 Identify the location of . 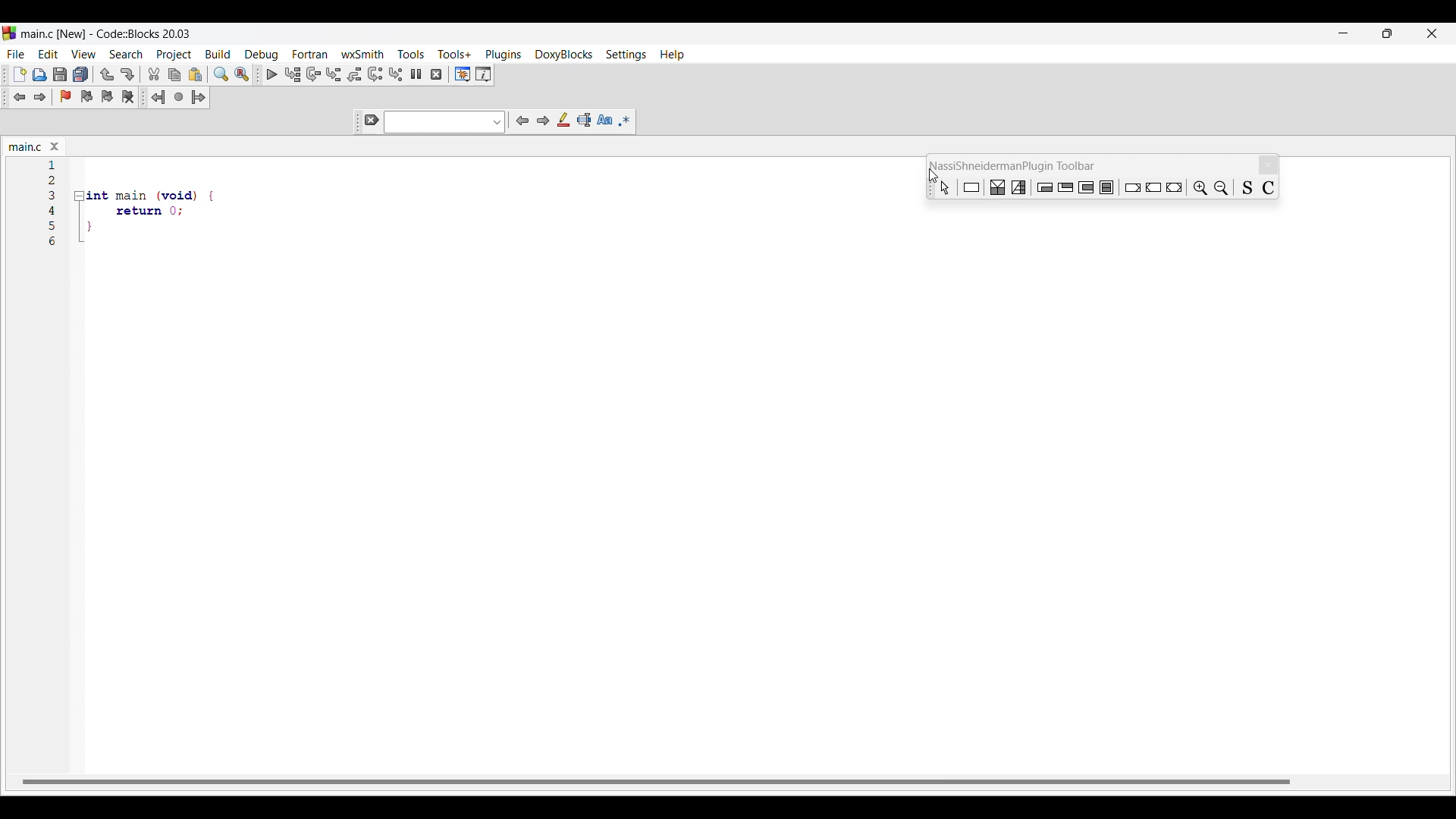
(1153, 186).